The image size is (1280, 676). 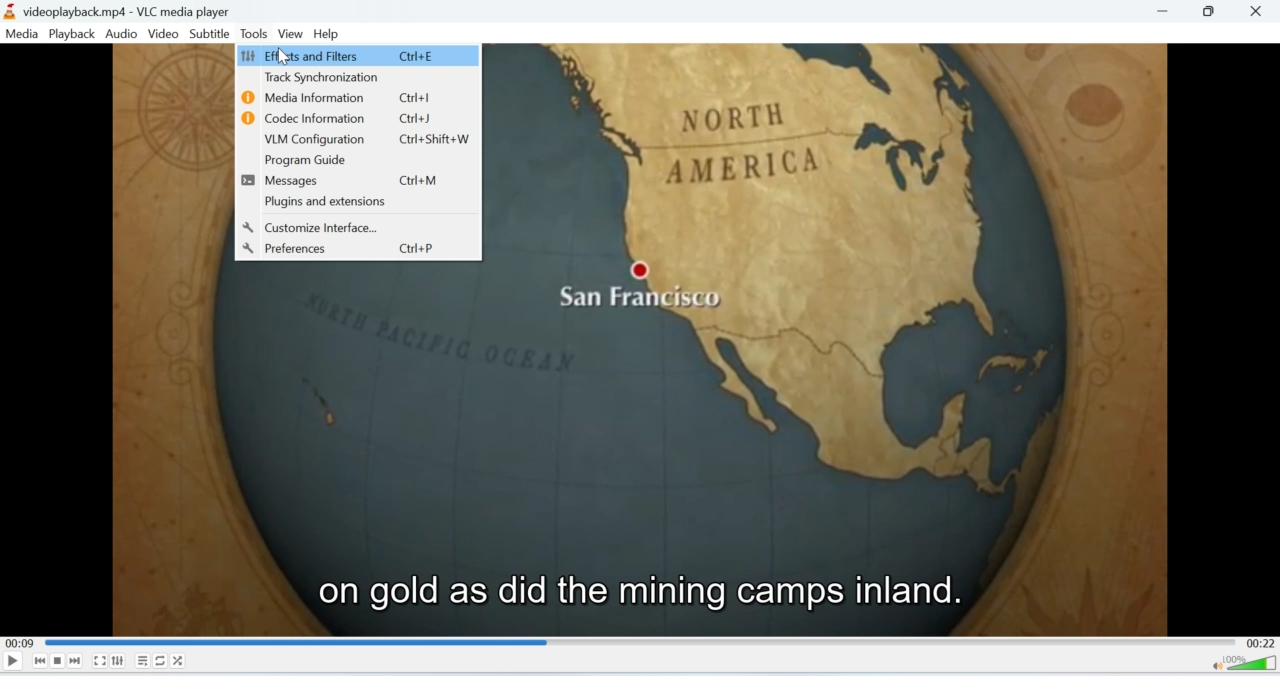 What do you see at coordinates (161, 660) in the screenshot?
I see `Loop` at bounding box center [161, 660].